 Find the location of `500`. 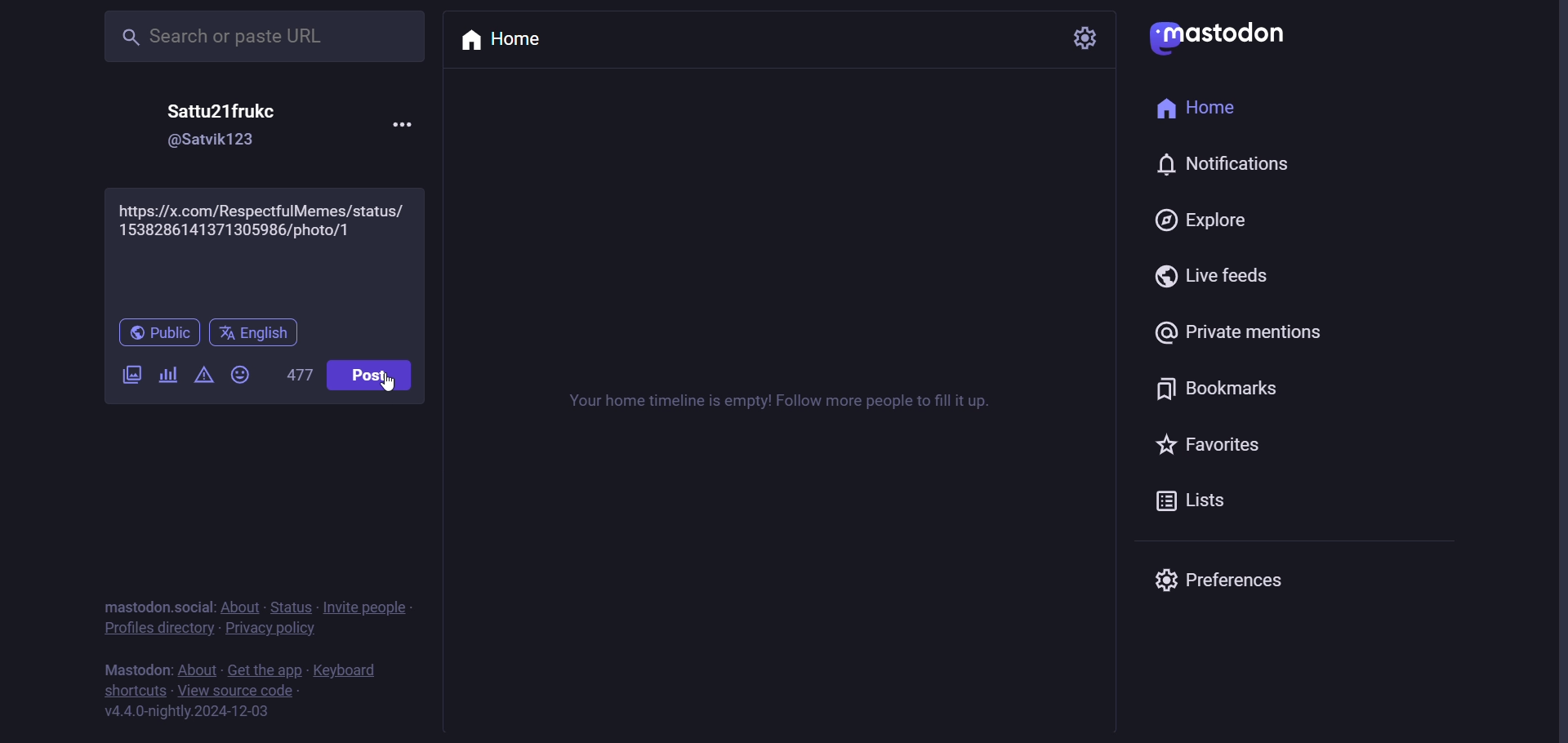

500 is located at coordinates (292, 372).